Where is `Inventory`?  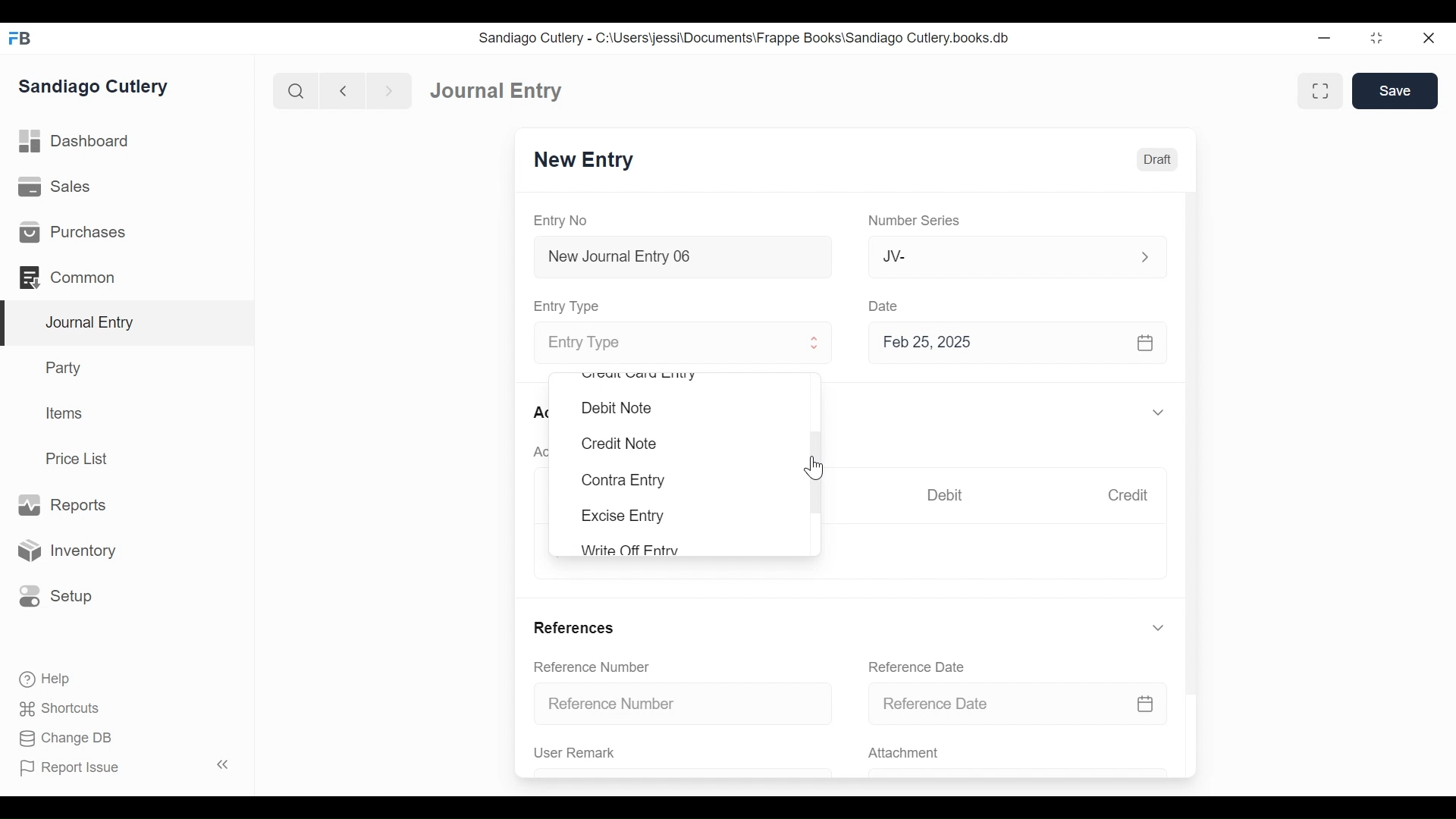
Inventory is located at coordinates (64, 551).